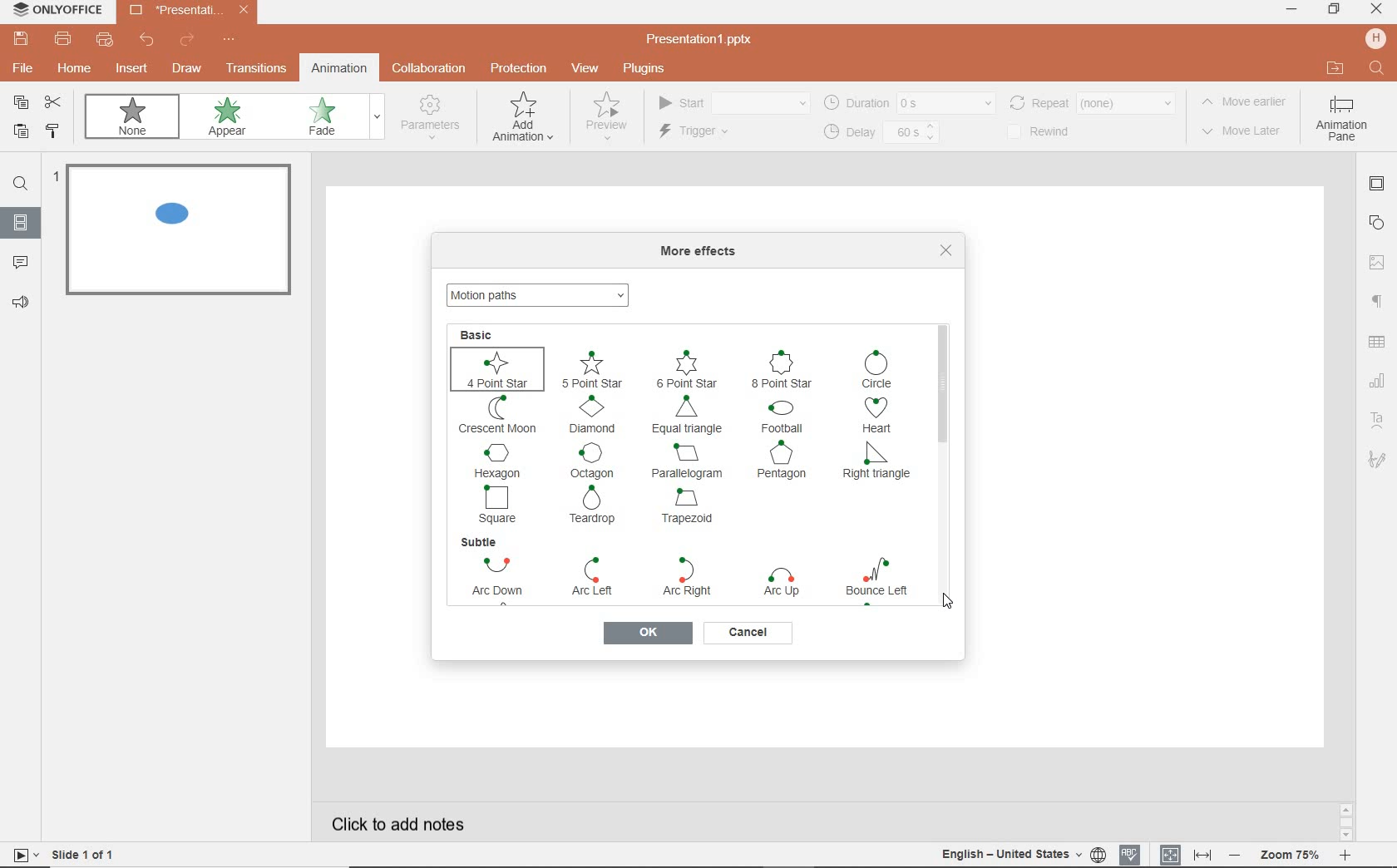 This screenshot has width=1397, height=868. I want to click on plugins, so click(653, 69).